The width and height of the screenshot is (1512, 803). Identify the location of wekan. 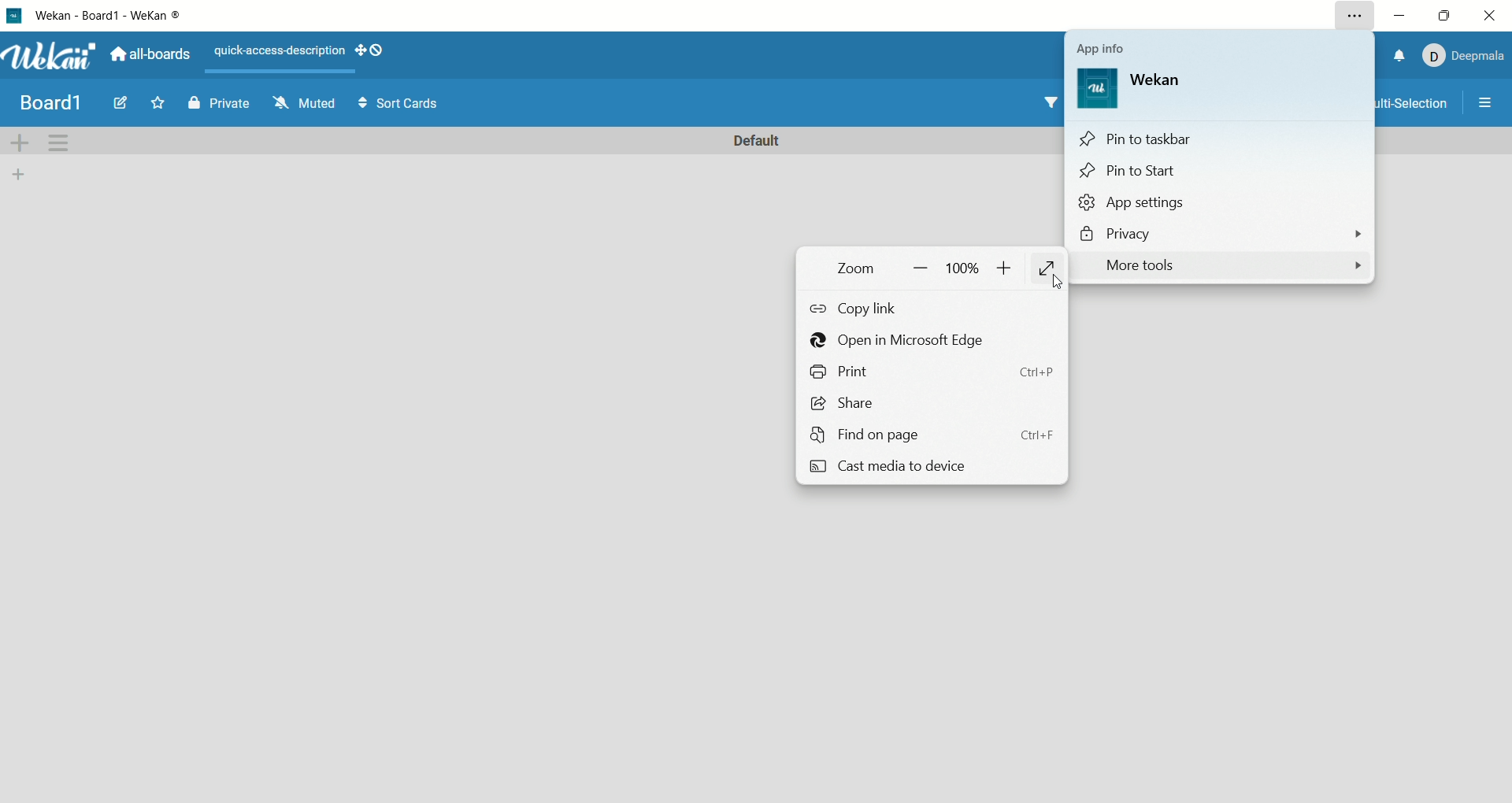
(50, 57).